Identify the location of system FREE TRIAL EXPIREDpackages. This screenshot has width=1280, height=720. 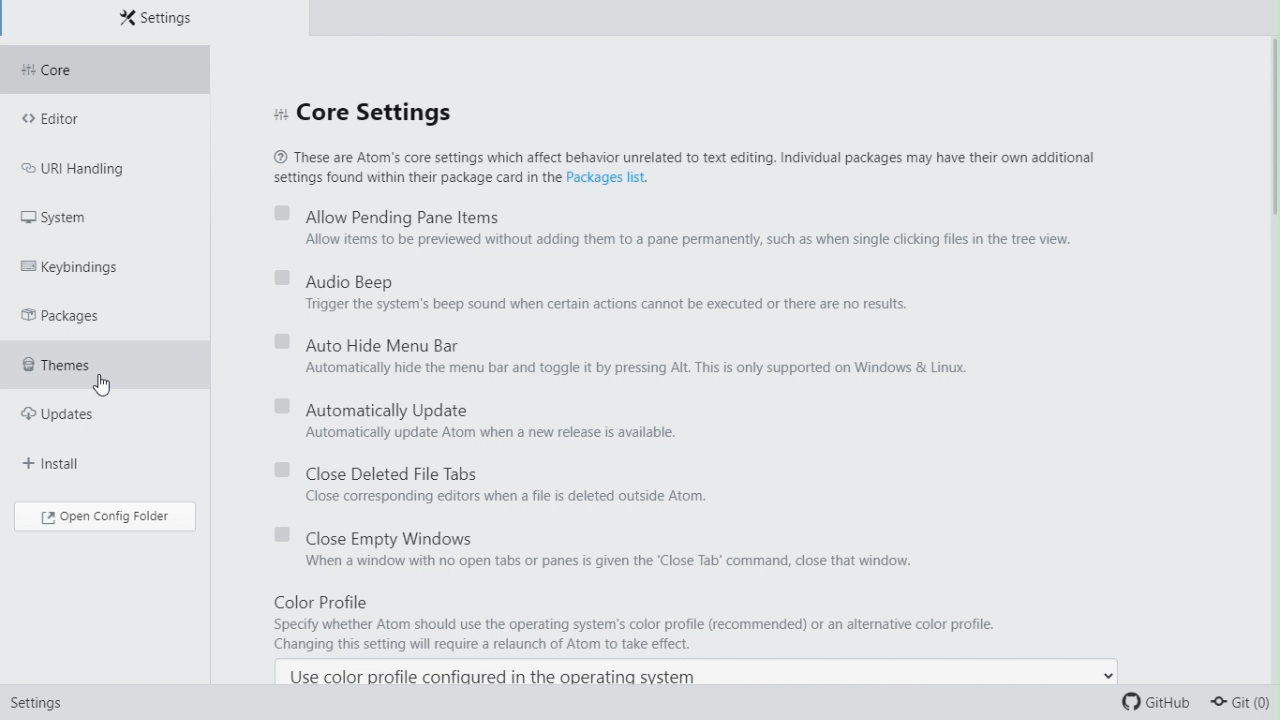
(93, 215).